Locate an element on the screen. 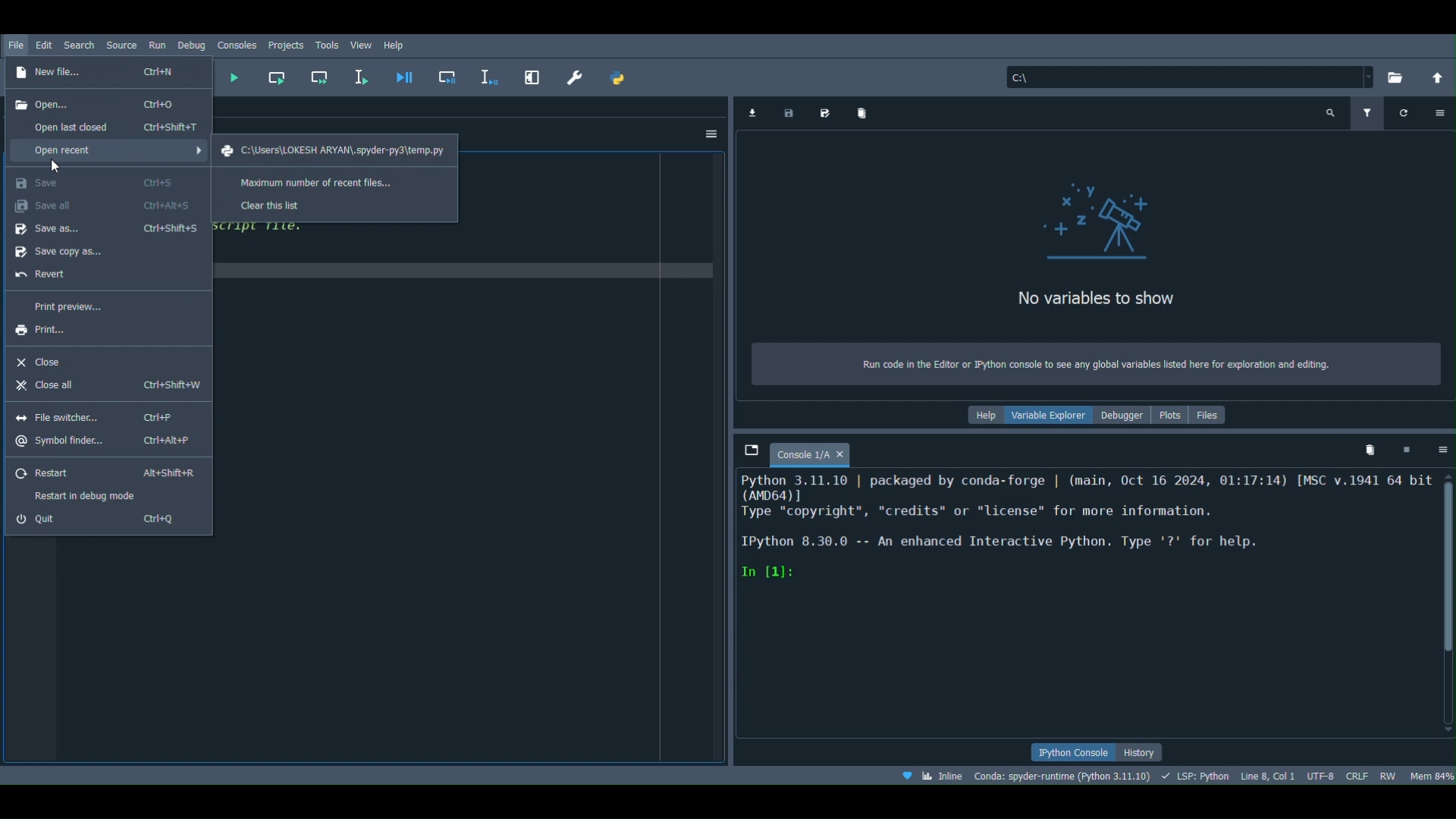 The width and height of the screenshot is (1456, 819). Quit is located at coordinates (99, 522).